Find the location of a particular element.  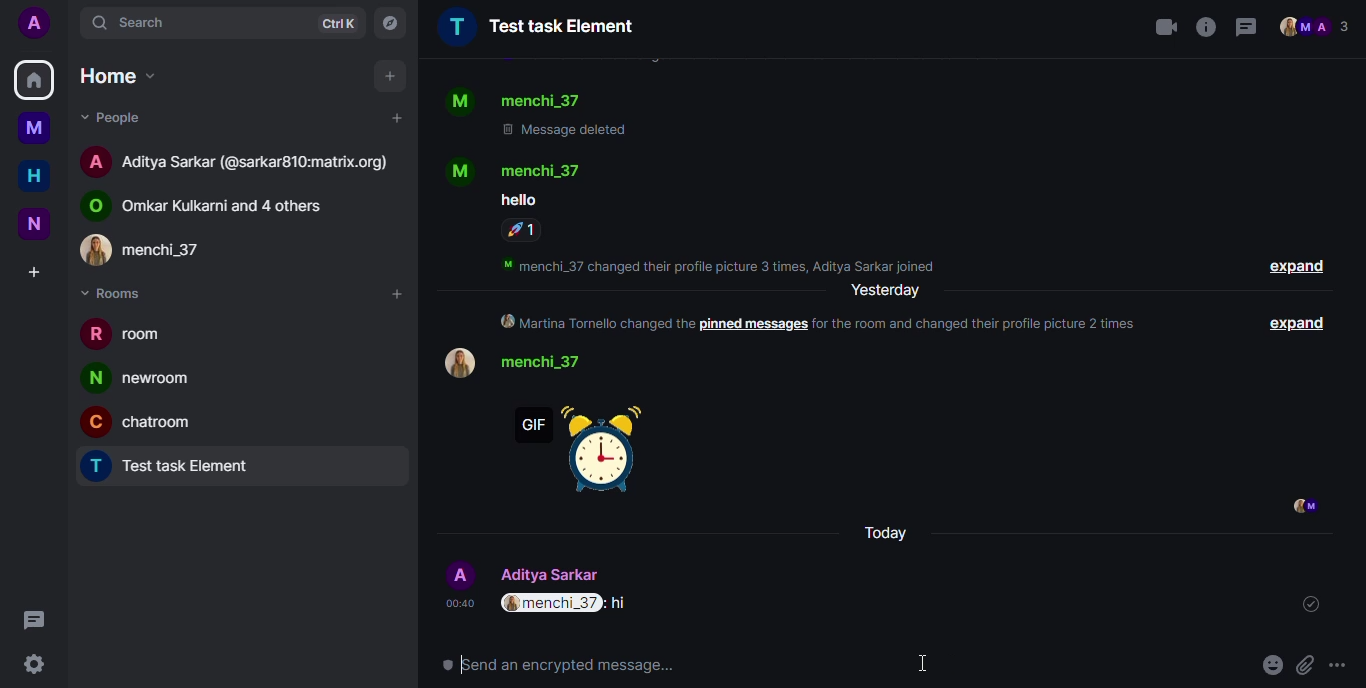

for the room and changed their profile picture 2 times. is located at coordinates (984, 326).